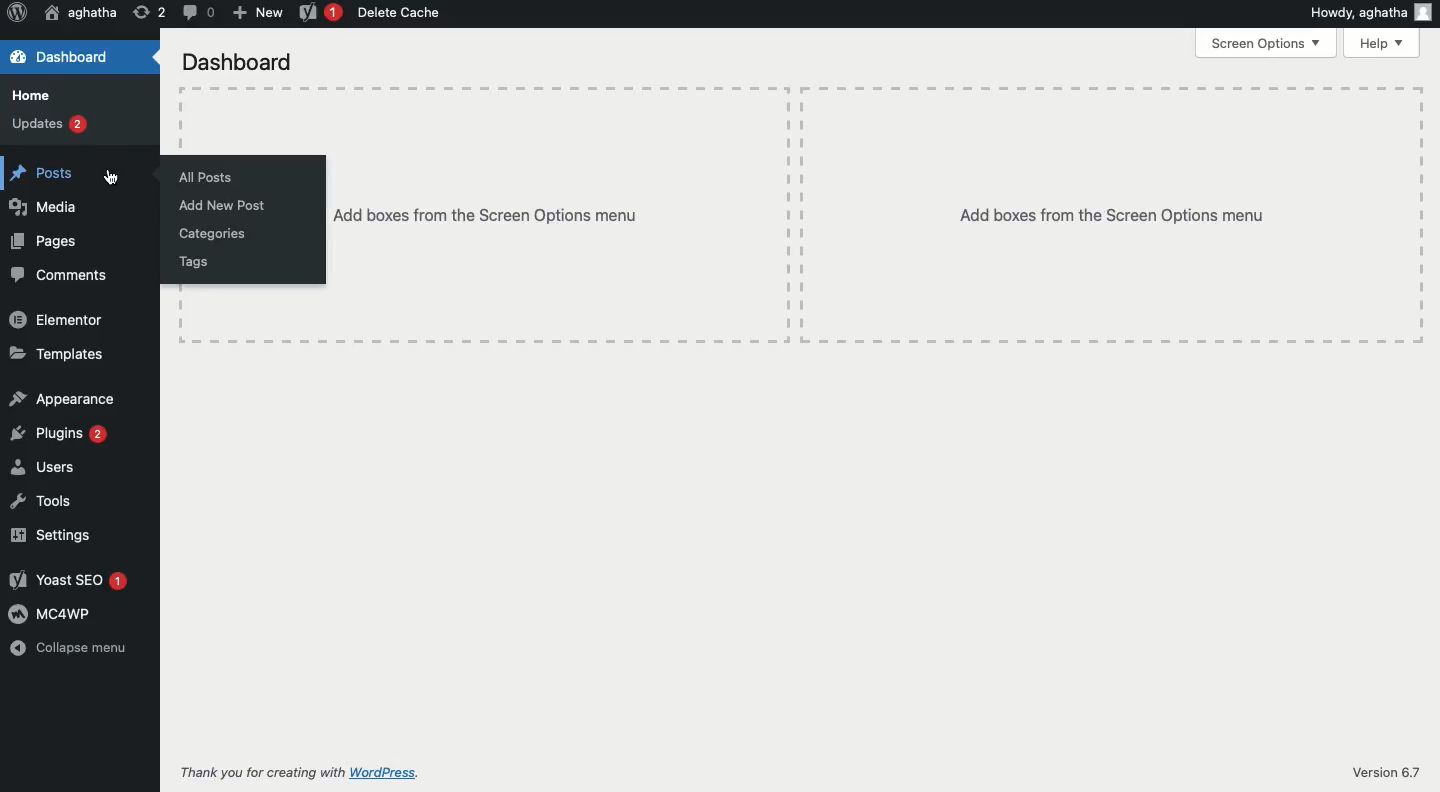 This screenshot has width=1440, height=792. I want to click on Appearance, so click(66, 399).